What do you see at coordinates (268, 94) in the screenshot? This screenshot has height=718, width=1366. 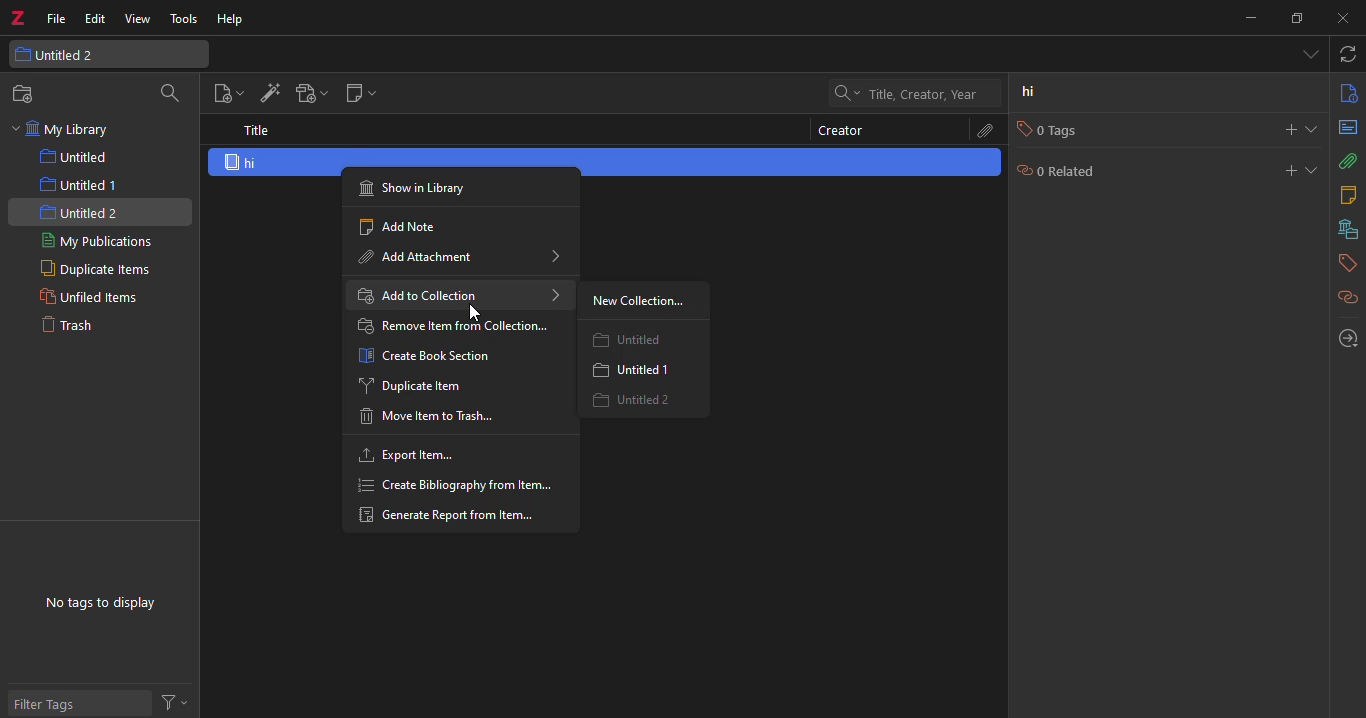 I see `add item` at bounding box center [268, 94].